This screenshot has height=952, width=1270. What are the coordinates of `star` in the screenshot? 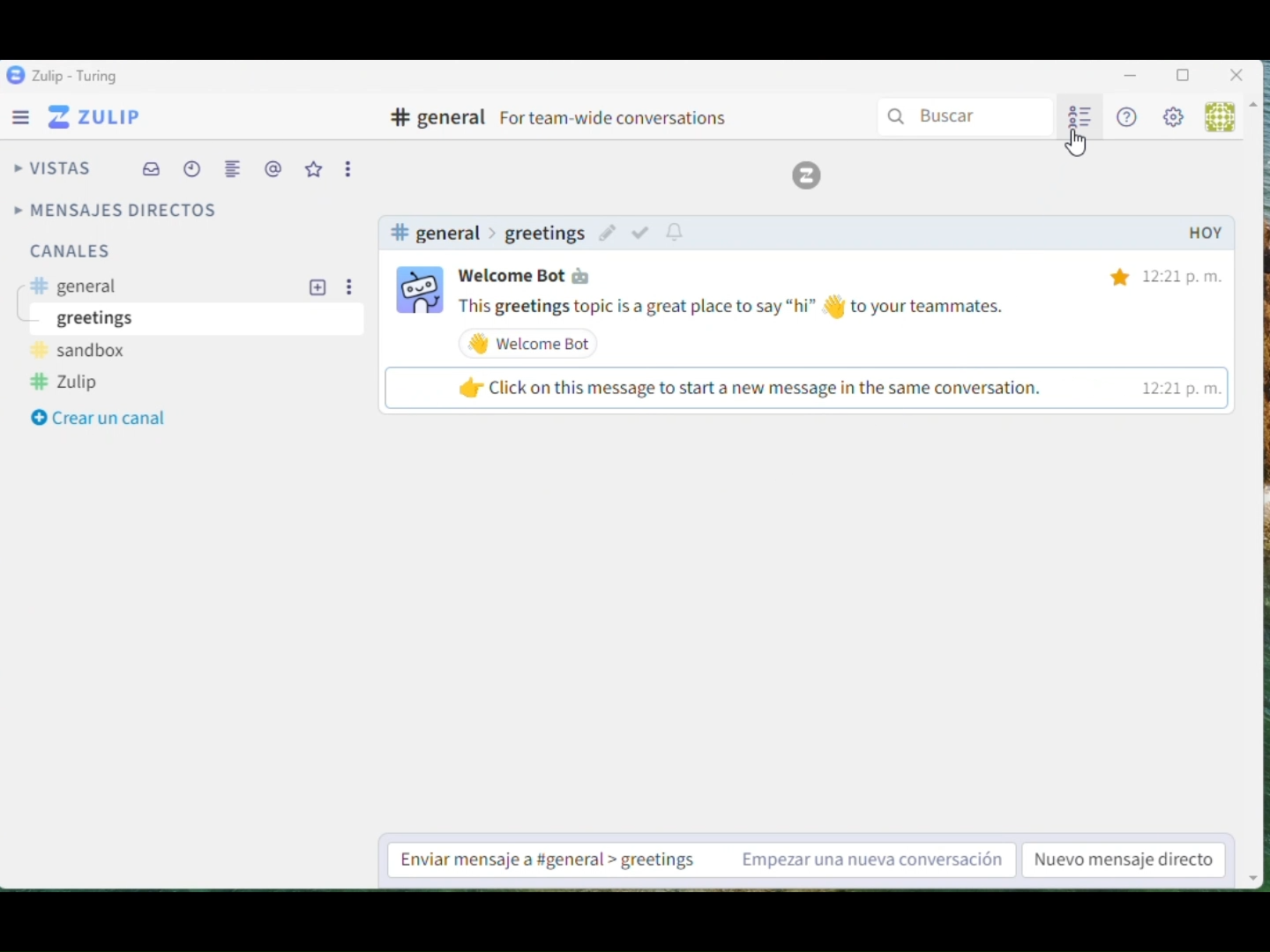 It's located at (1120, 279).